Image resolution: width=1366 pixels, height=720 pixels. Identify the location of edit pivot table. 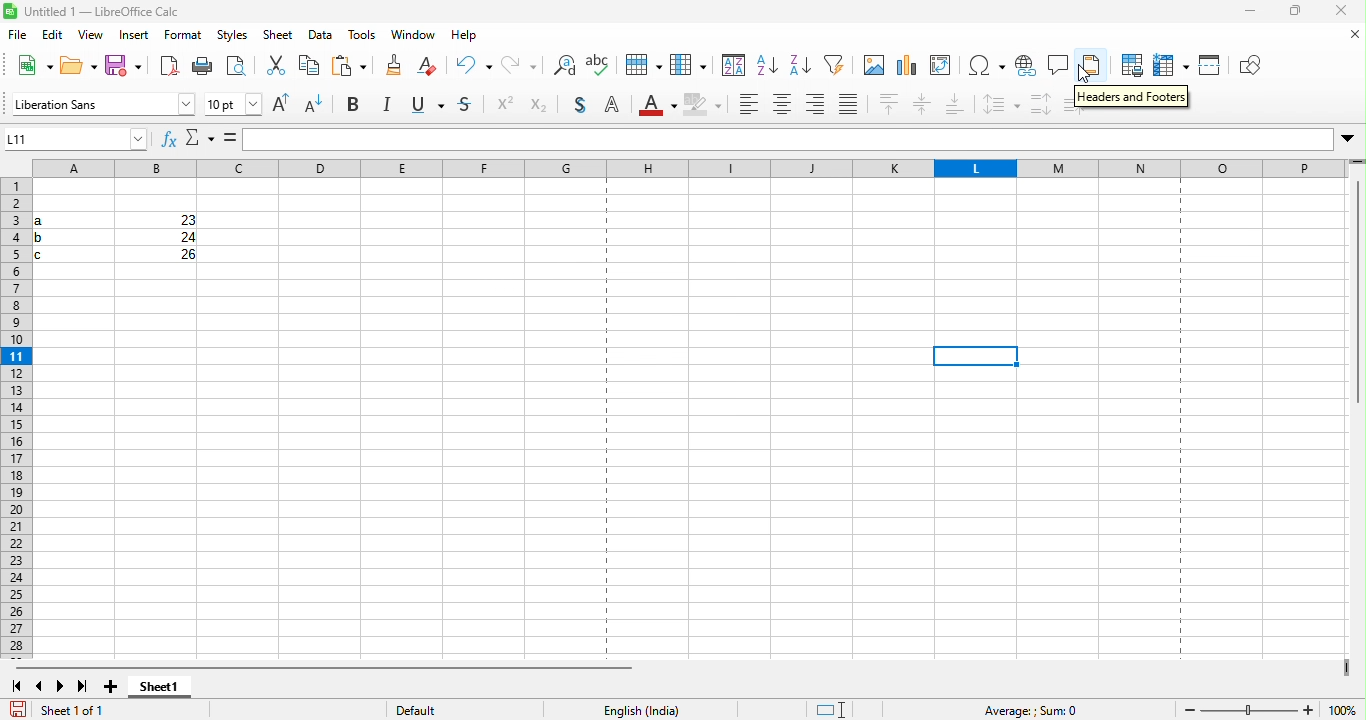
(946, 66).